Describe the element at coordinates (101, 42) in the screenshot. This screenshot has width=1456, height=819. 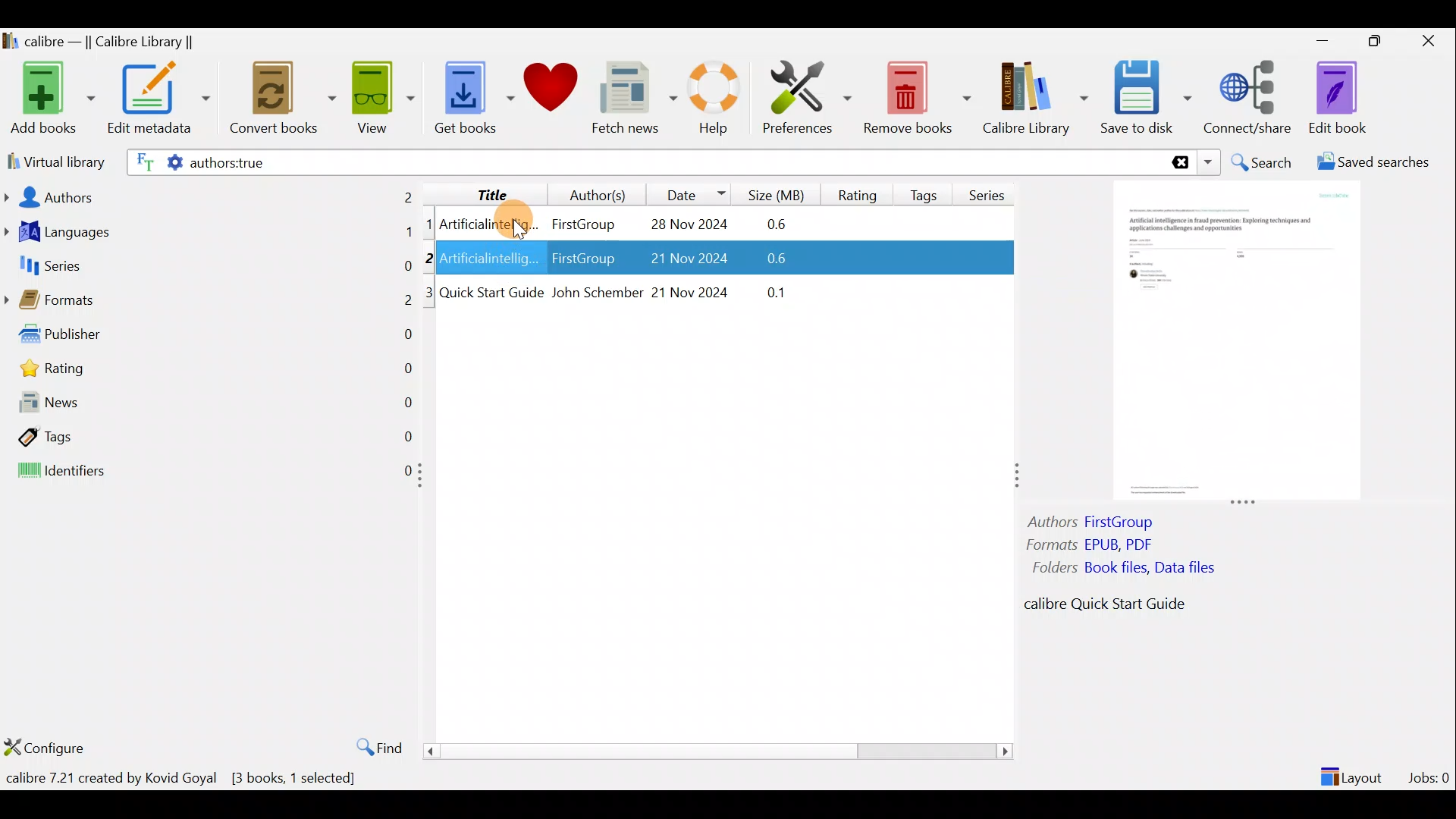
I see `calibre — || Calibre Library ||` at that location.